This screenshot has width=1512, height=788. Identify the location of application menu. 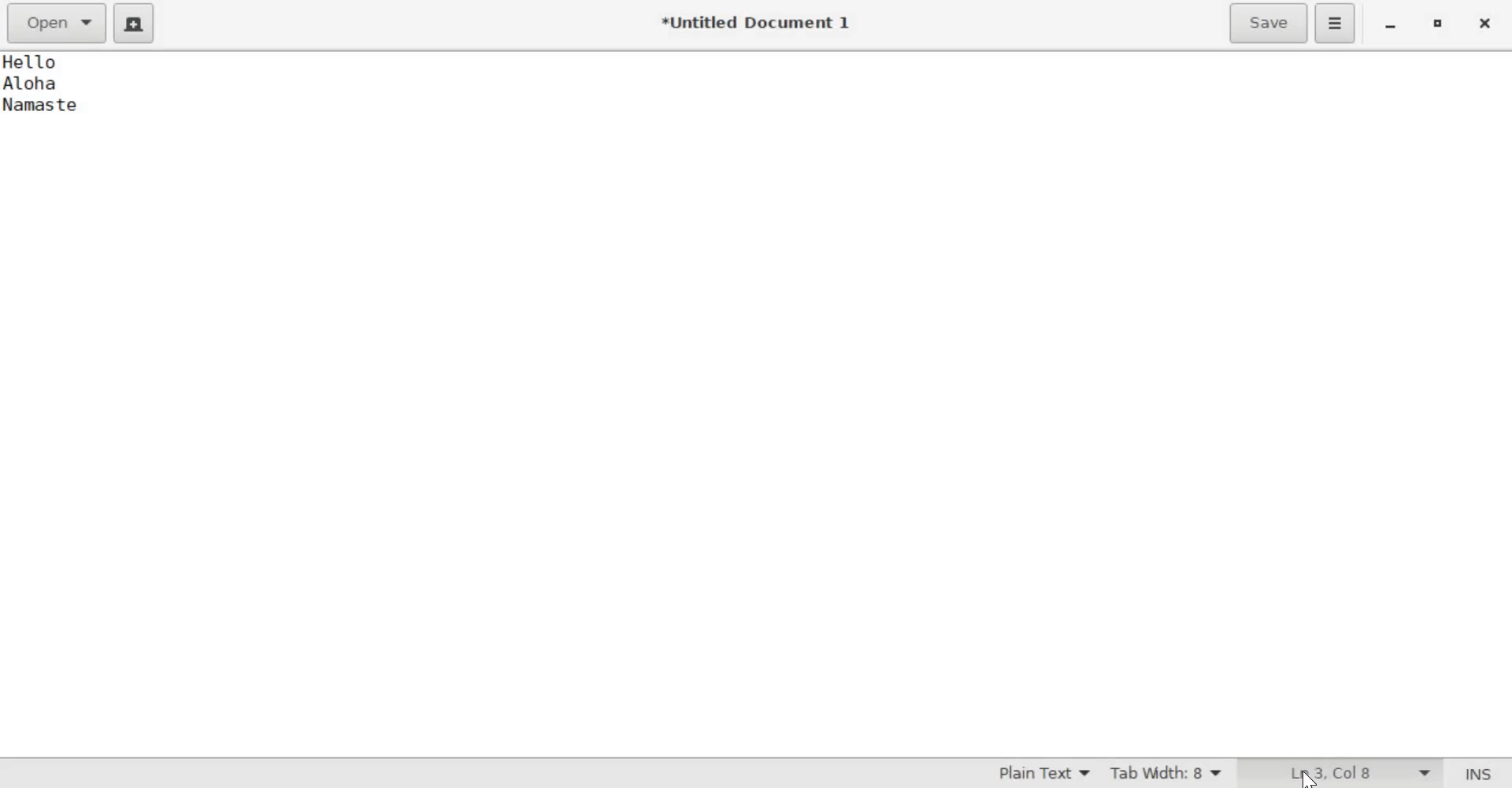
(1336, 23).